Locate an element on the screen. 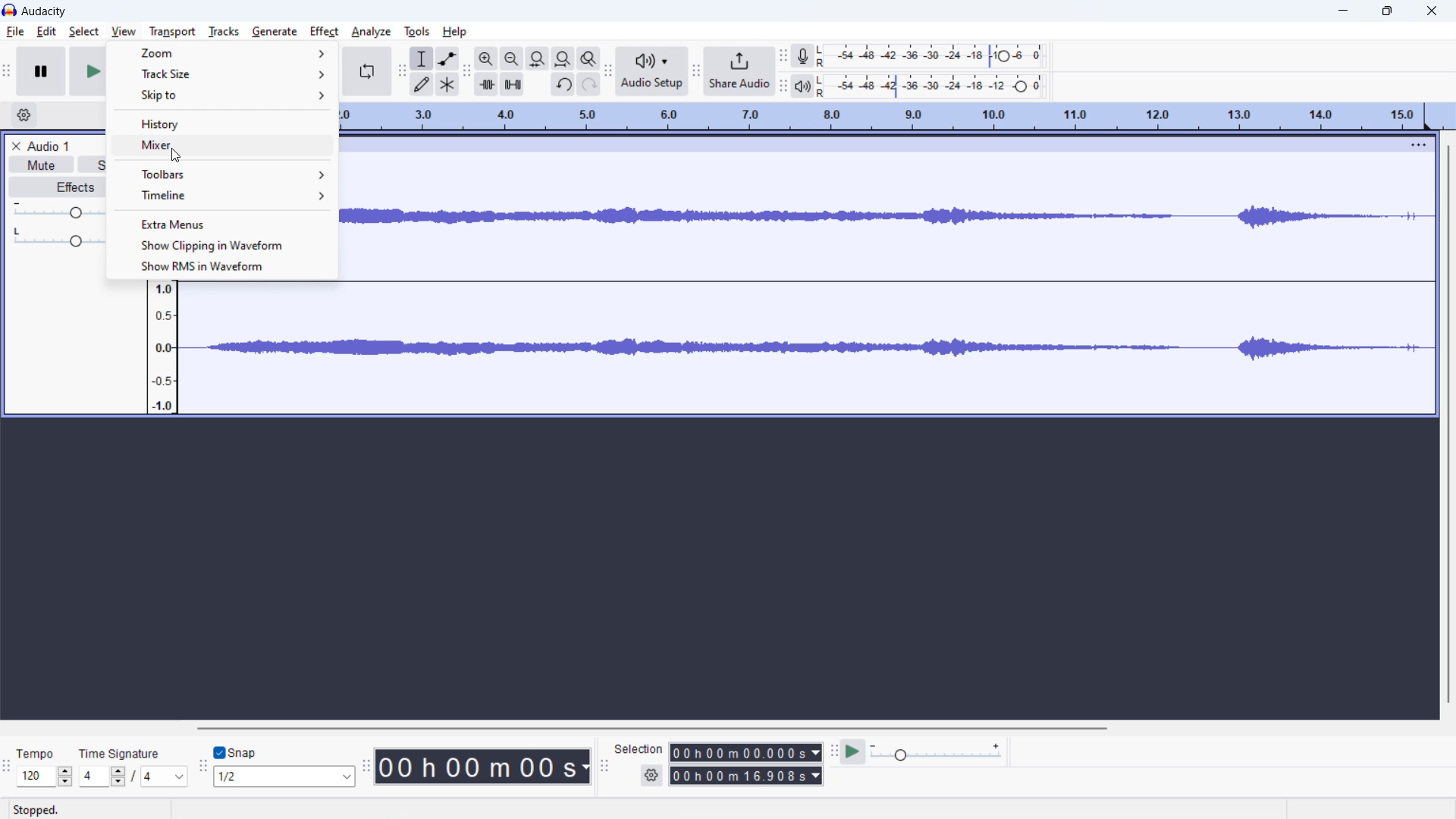 This screenshot has height=819, width=1456. timeline settings is located at coordinates (24, 116).